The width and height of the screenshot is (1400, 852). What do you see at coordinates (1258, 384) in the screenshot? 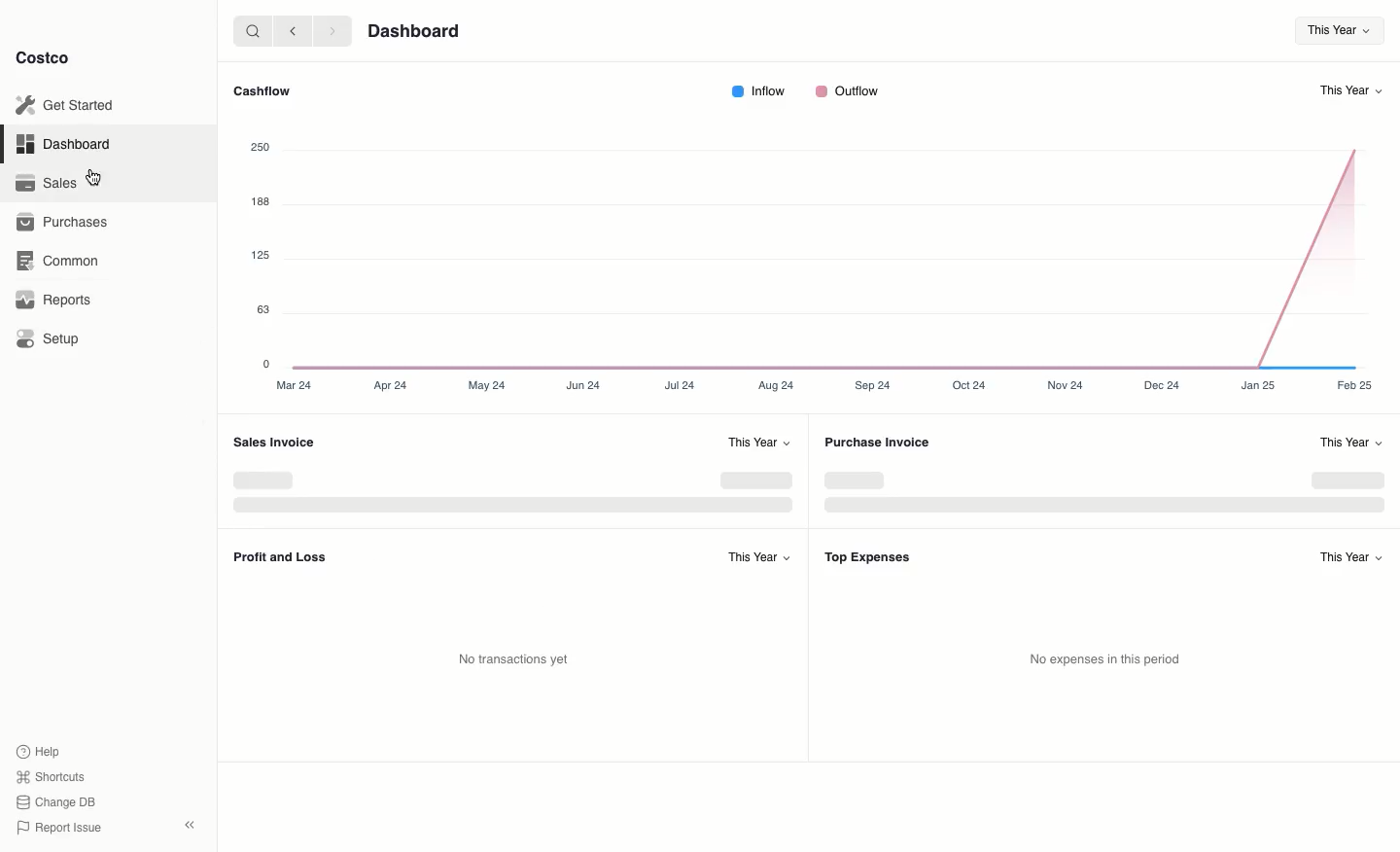
I see `Jan 25` at bounding box center [1258, 384].